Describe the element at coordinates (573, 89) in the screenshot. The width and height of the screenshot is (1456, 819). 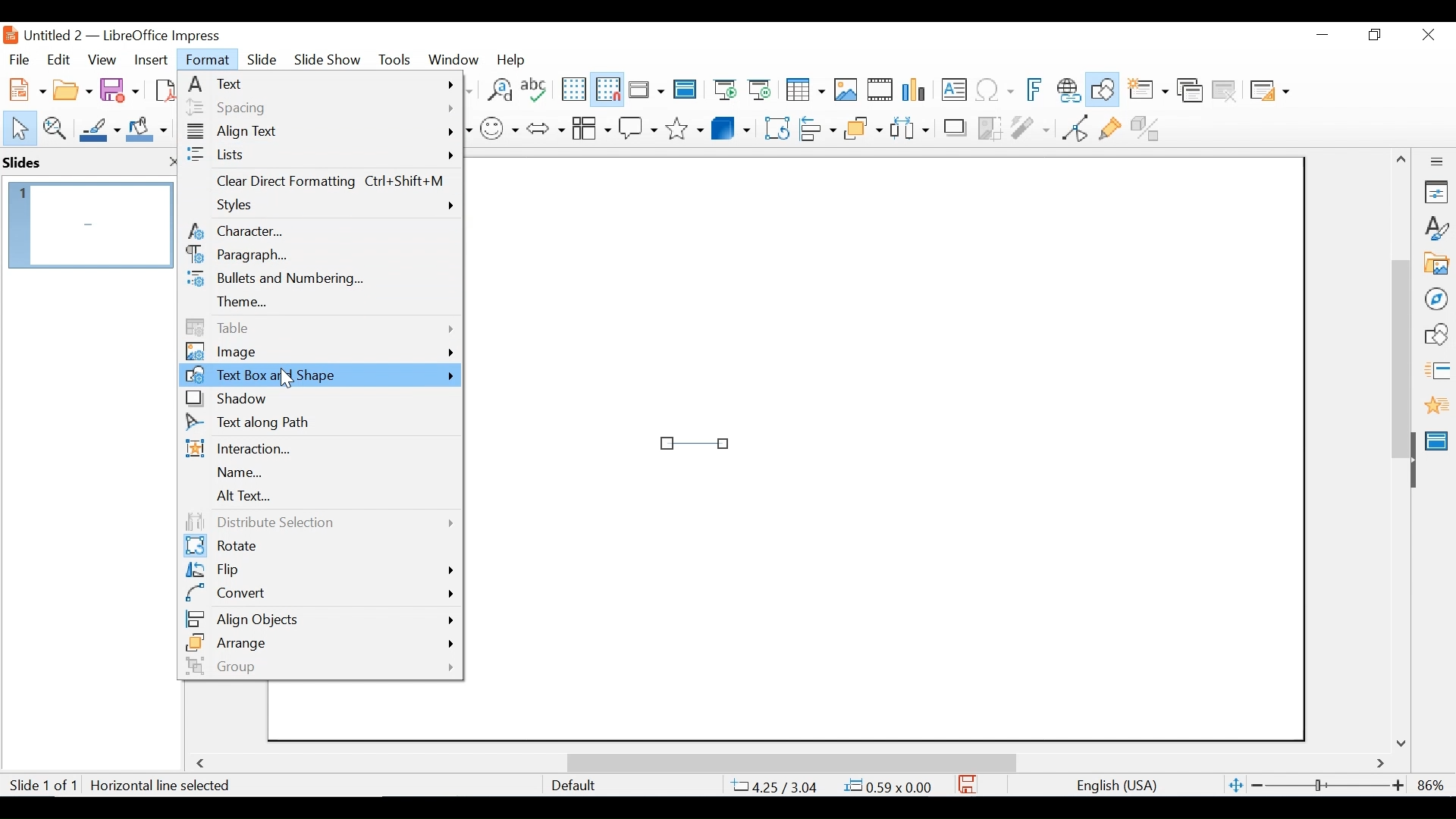
I see `Display Grid` at that location.